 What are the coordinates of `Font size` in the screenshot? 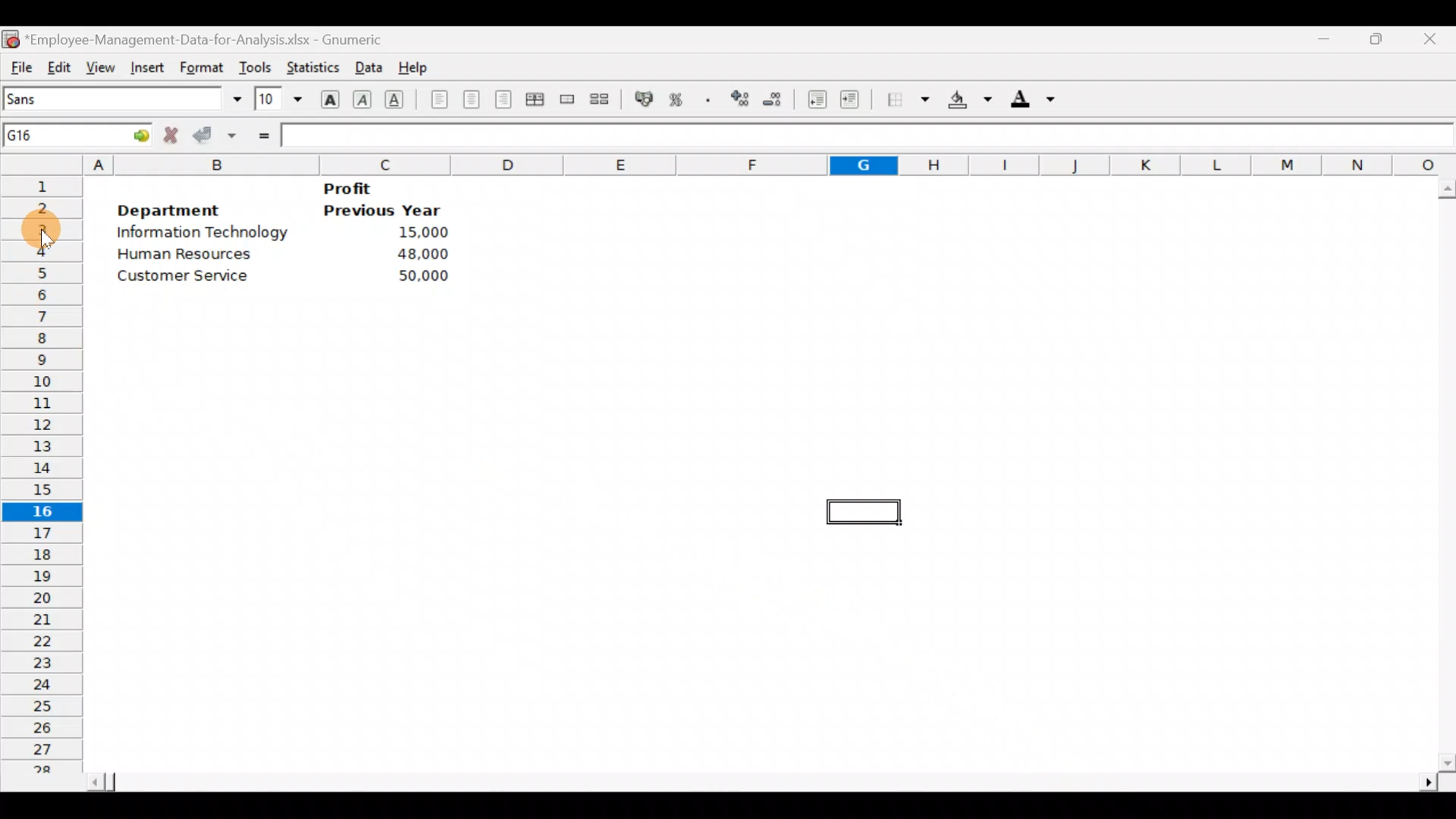 It's located at (278, 99).